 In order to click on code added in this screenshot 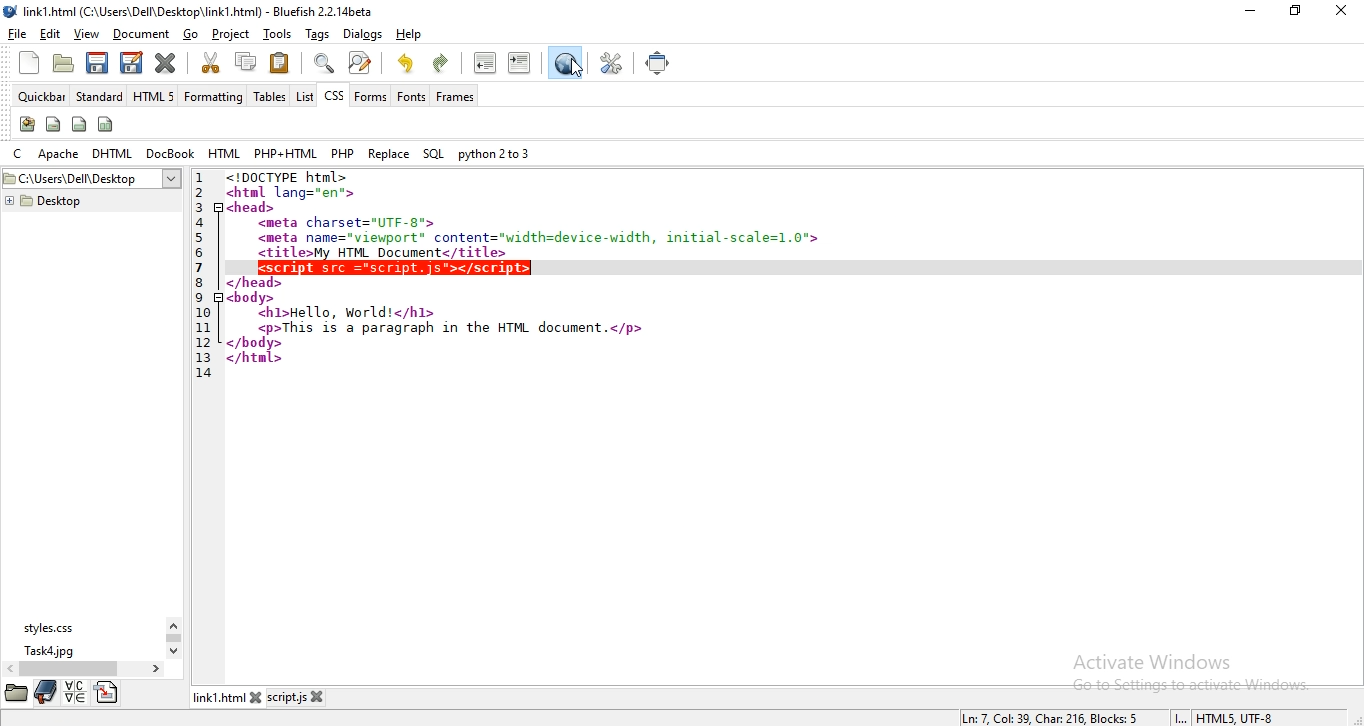, I will do `click(397, 267)`.